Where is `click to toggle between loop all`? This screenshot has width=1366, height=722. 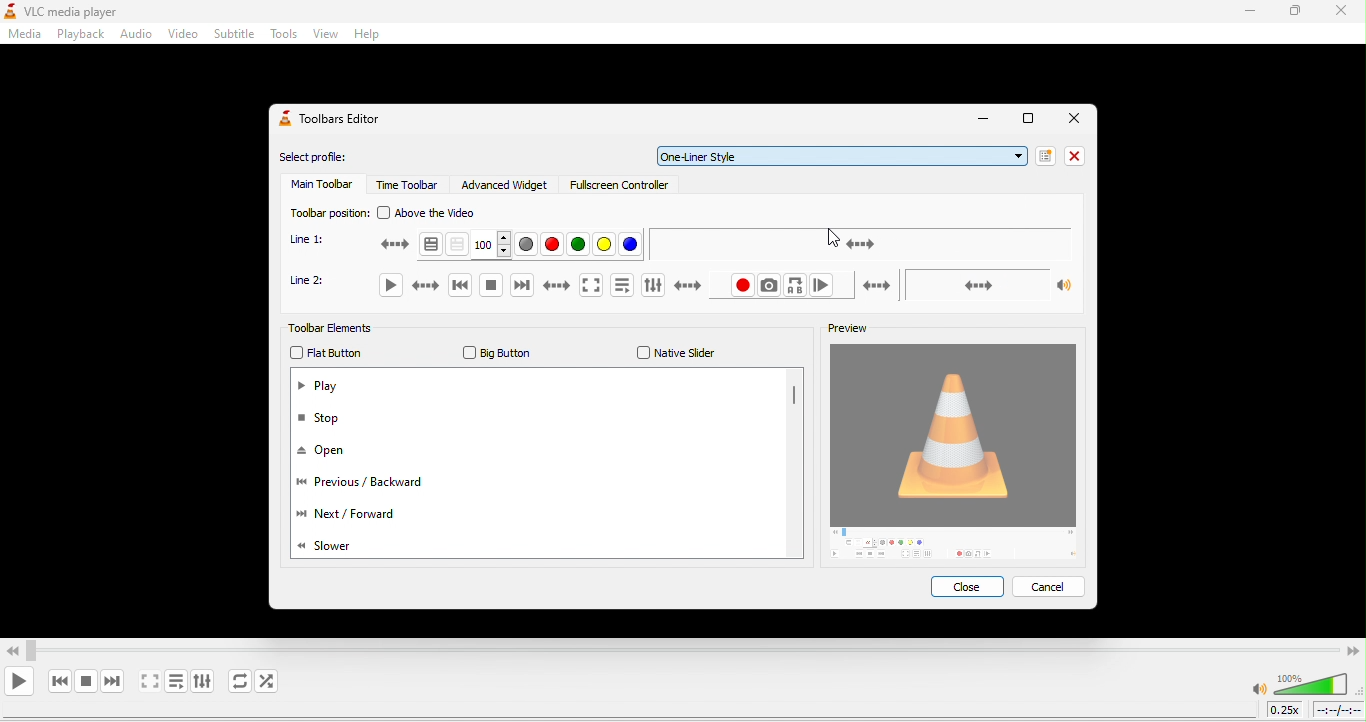 click to toggle between loop all is located at coordinates (236, 682).